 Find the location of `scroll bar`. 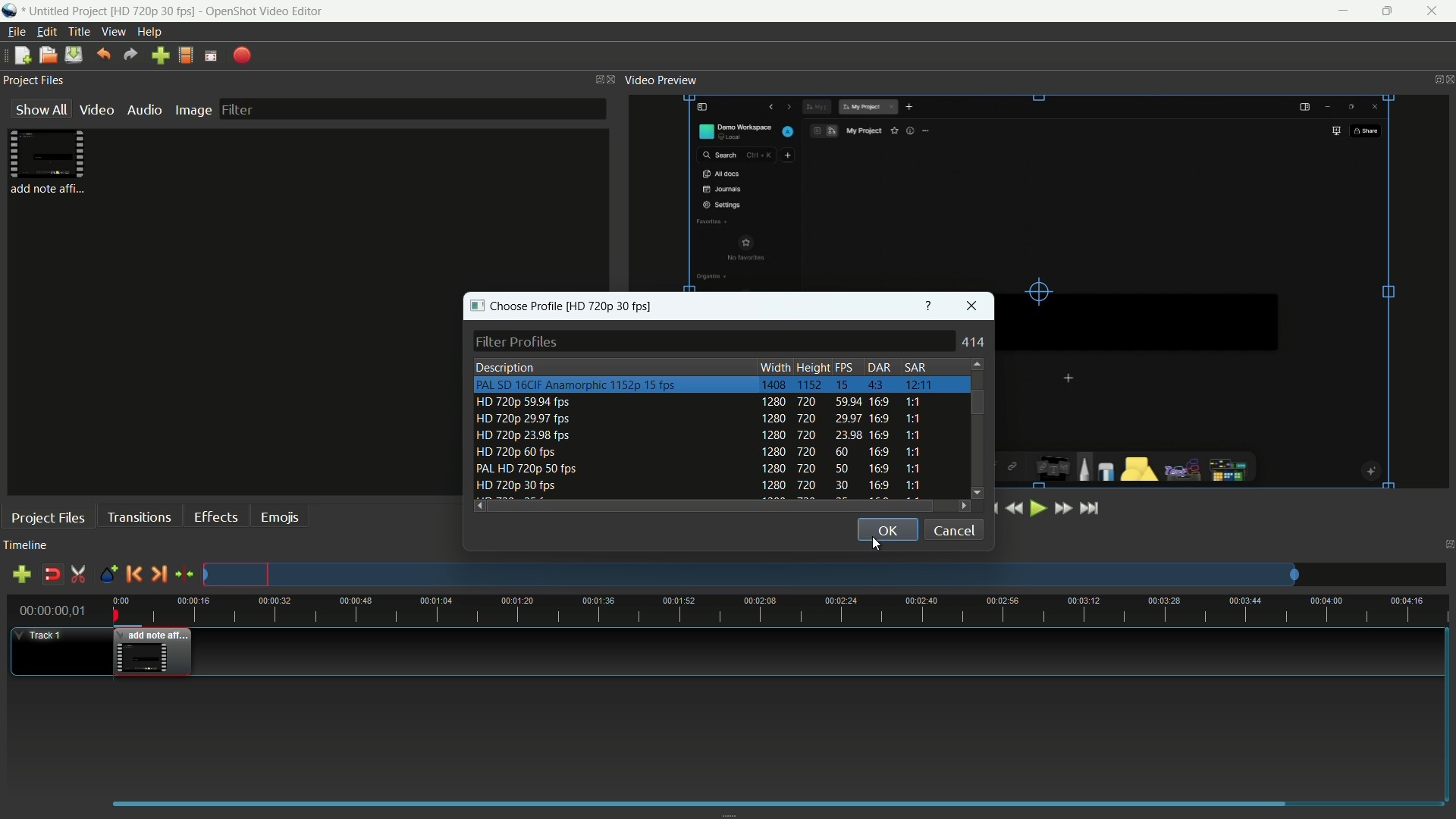

scroll bar is located at coordinates (977, 402).